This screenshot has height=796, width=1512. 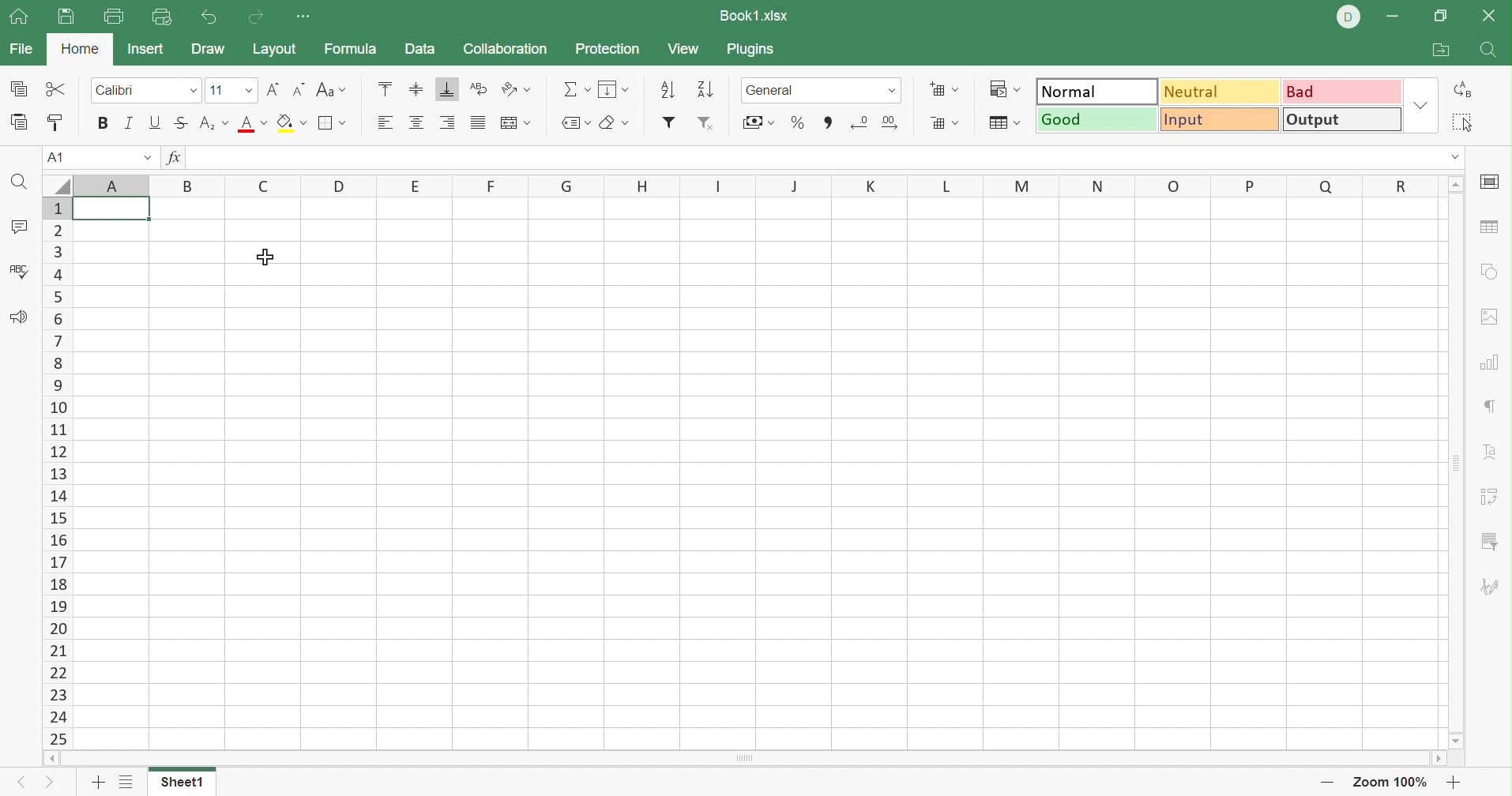 I want to click on Chart settings, so click(x=1488, y=361).